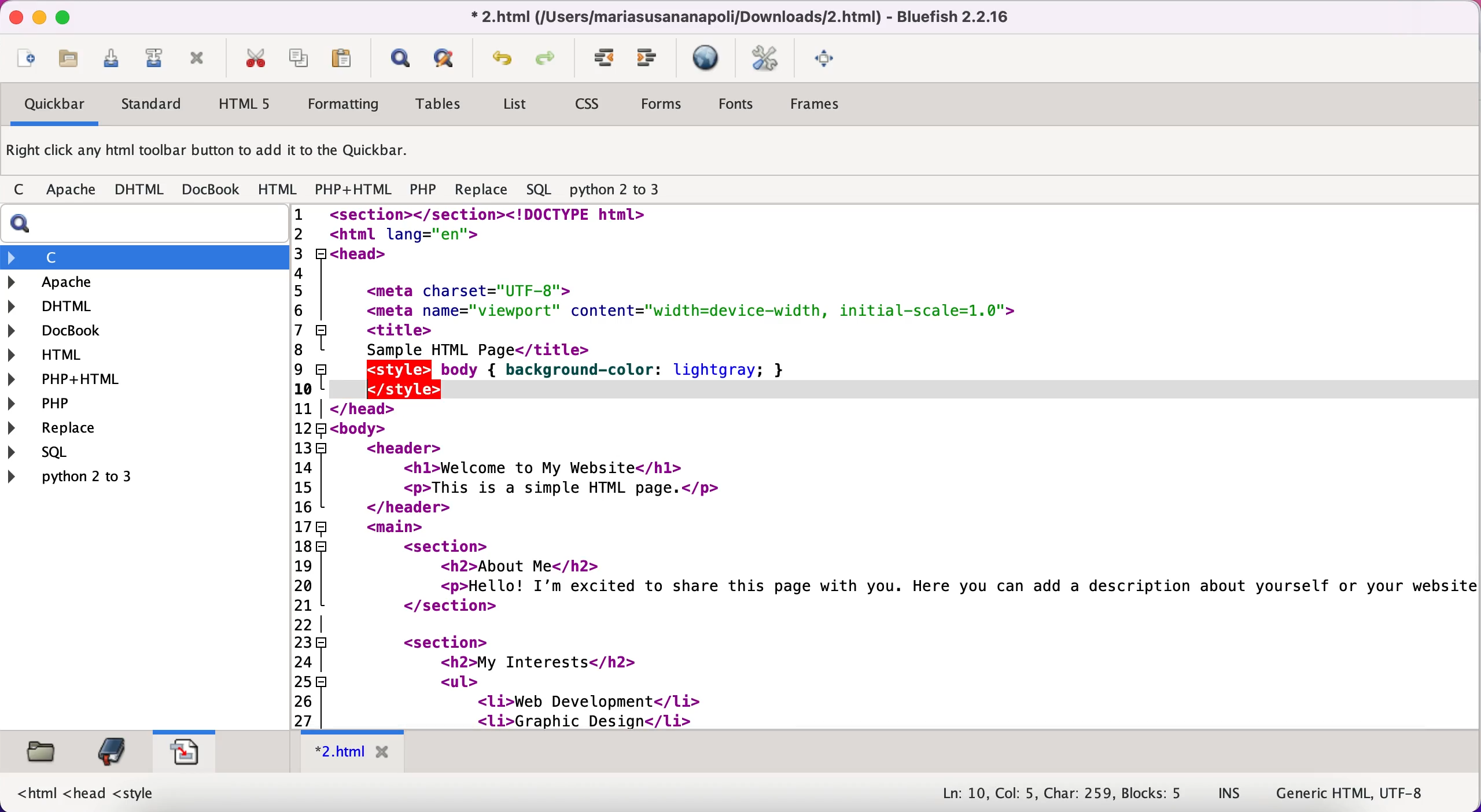  I want to click on python 2 to 3, so click(625, 190).